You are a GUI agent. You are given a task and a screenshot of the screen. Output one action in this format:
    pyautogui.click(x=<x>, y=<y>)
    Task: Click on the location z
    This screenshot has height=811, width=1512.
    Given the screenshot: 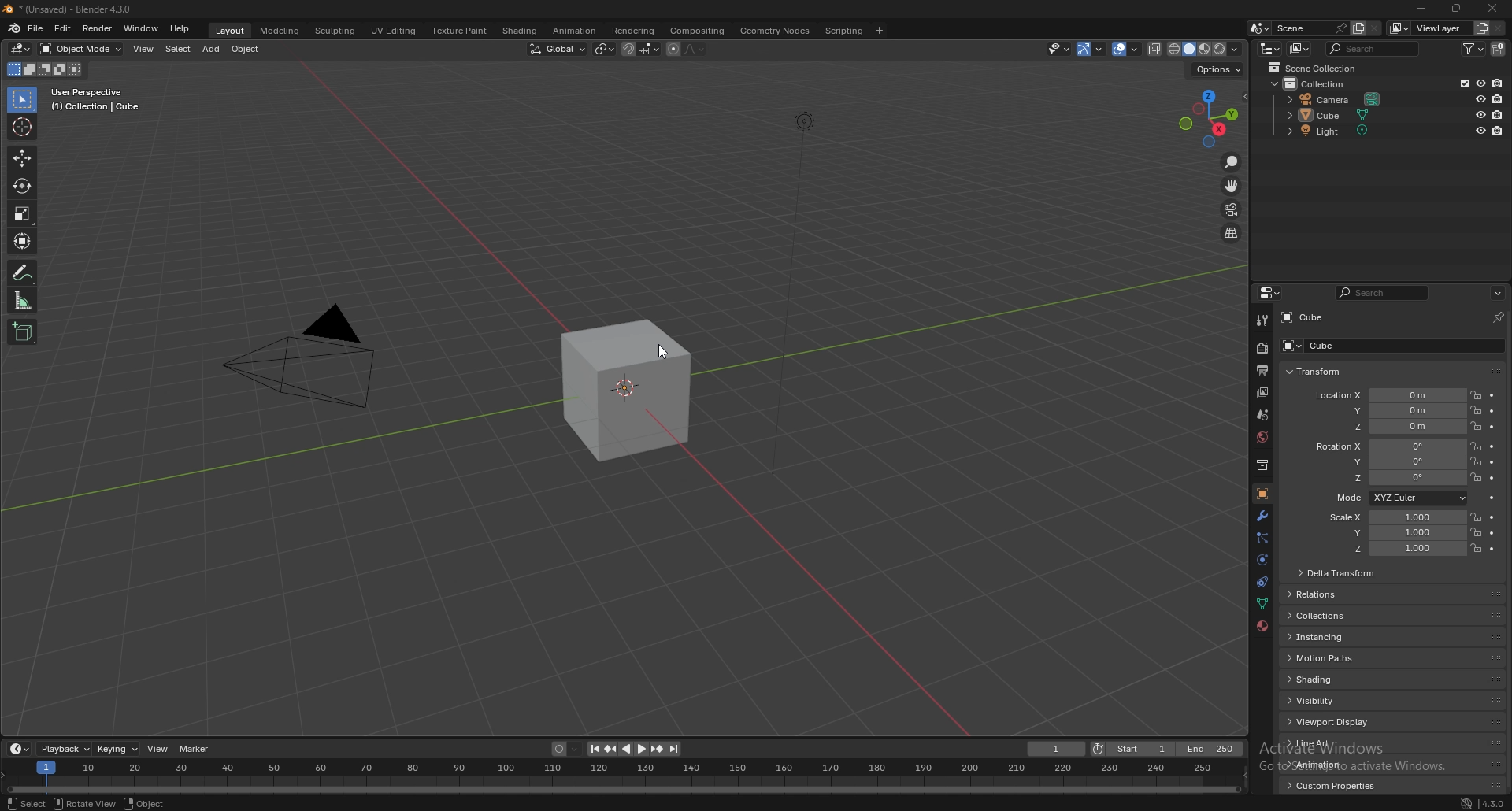 What is the action you would take?
    pyautogui.click(x=1399, y=427)
    